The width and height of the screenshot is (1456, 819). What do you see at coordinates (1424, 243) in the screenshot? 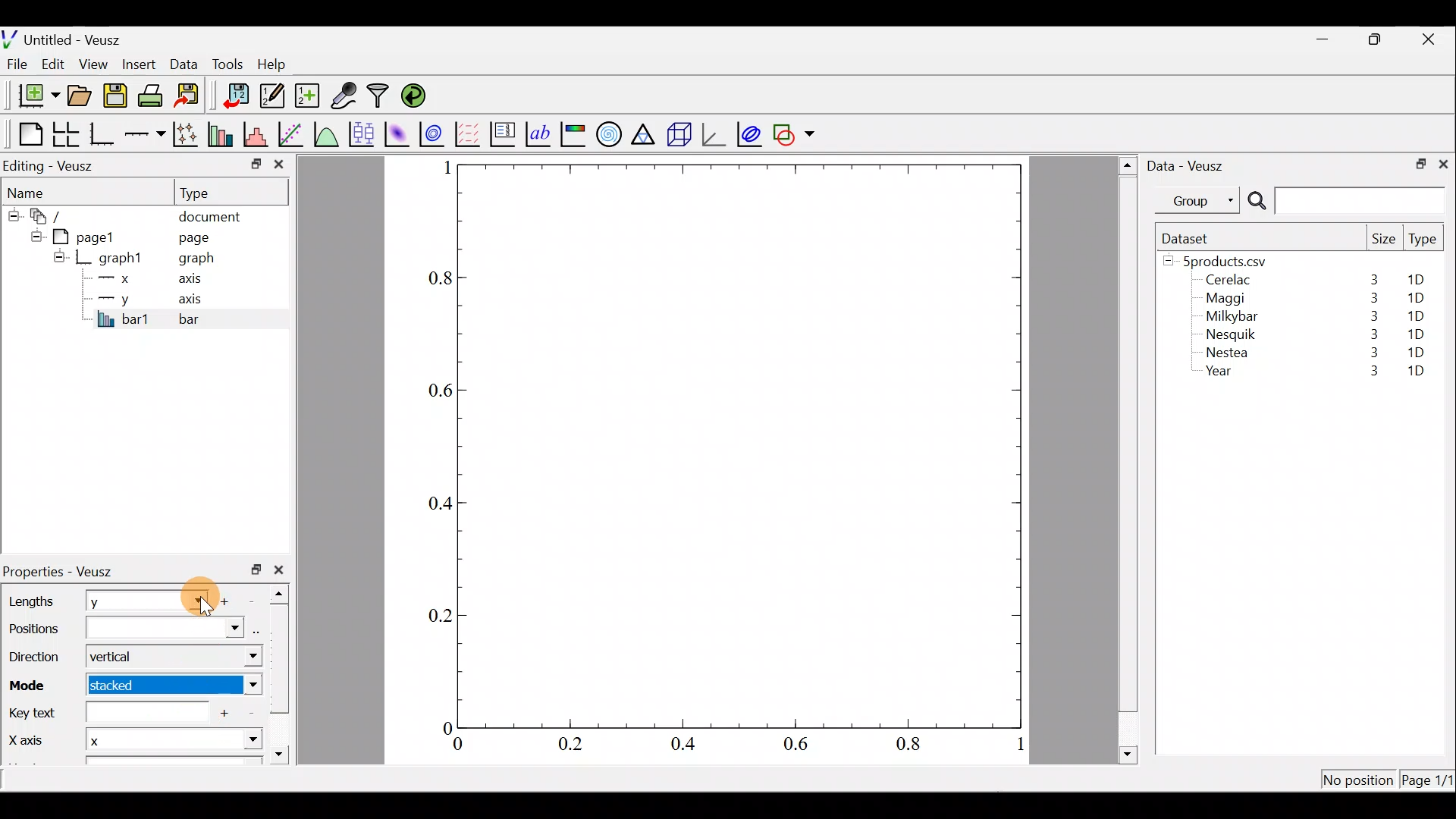
I see `Type` at bounding box center [1424, 243].